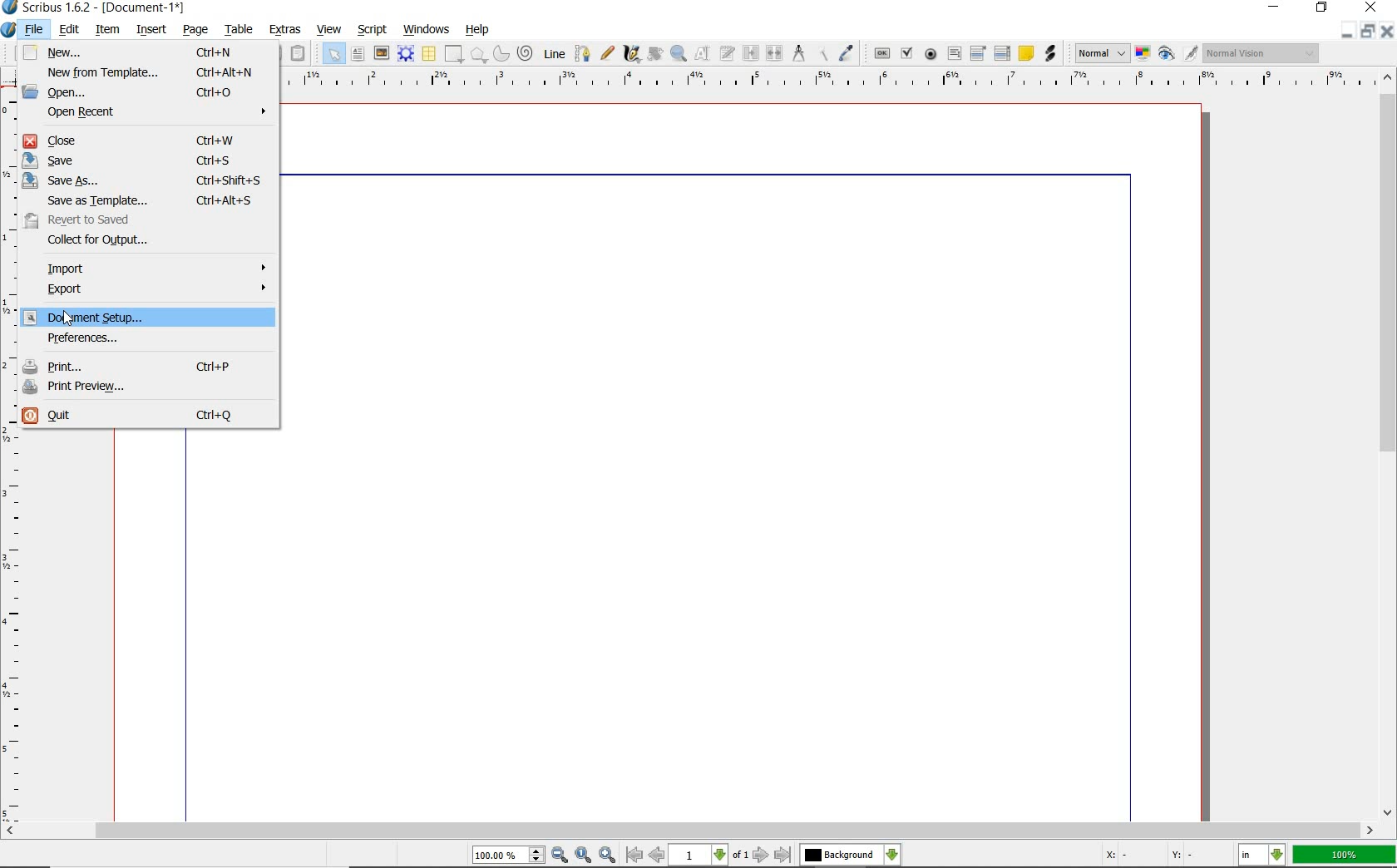 The width and height of the screenshot is (1397, 868). I want to click on select the current unit, so click(1261, 855).